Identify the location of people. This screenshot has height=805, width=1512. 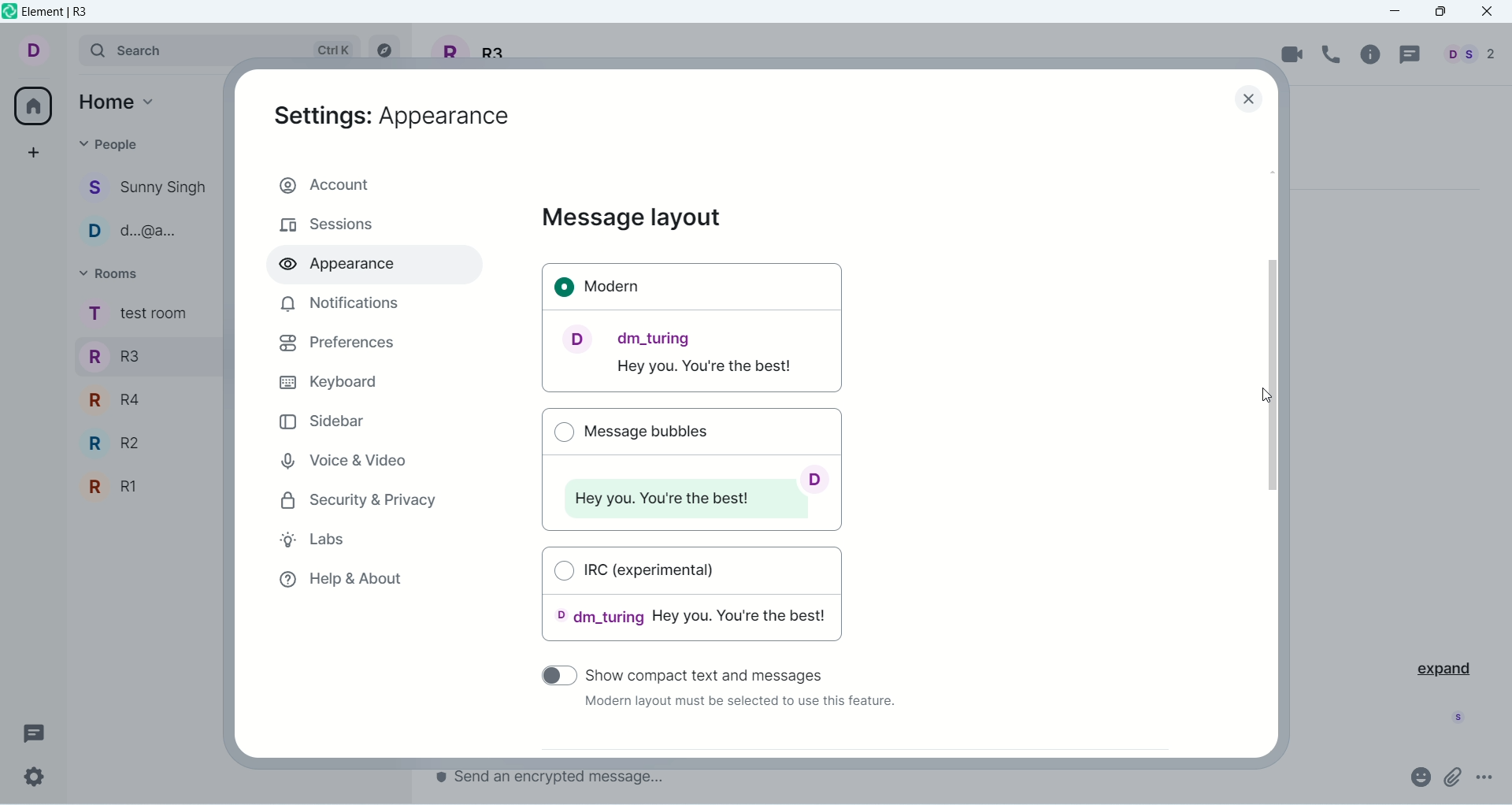
(1466, 54).